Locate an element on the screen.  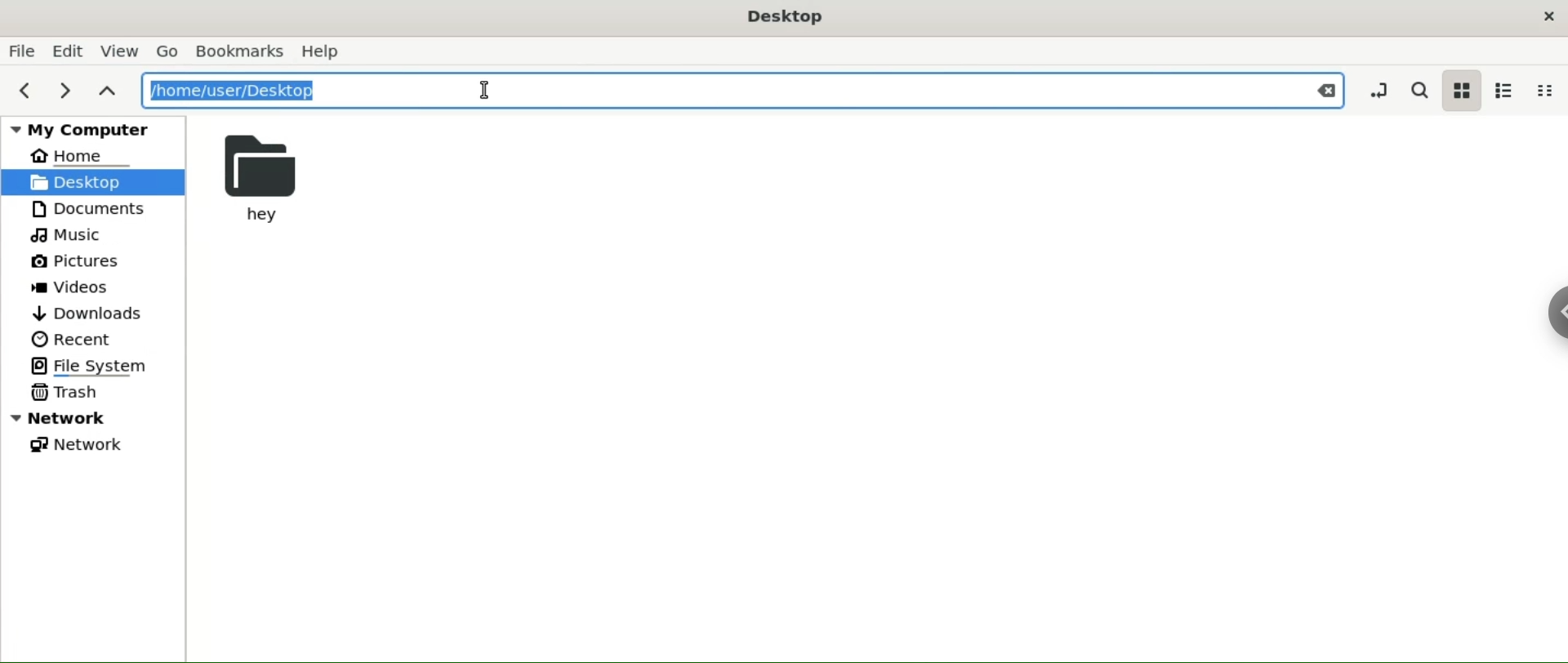
videos is located at coordinates (73, 287).